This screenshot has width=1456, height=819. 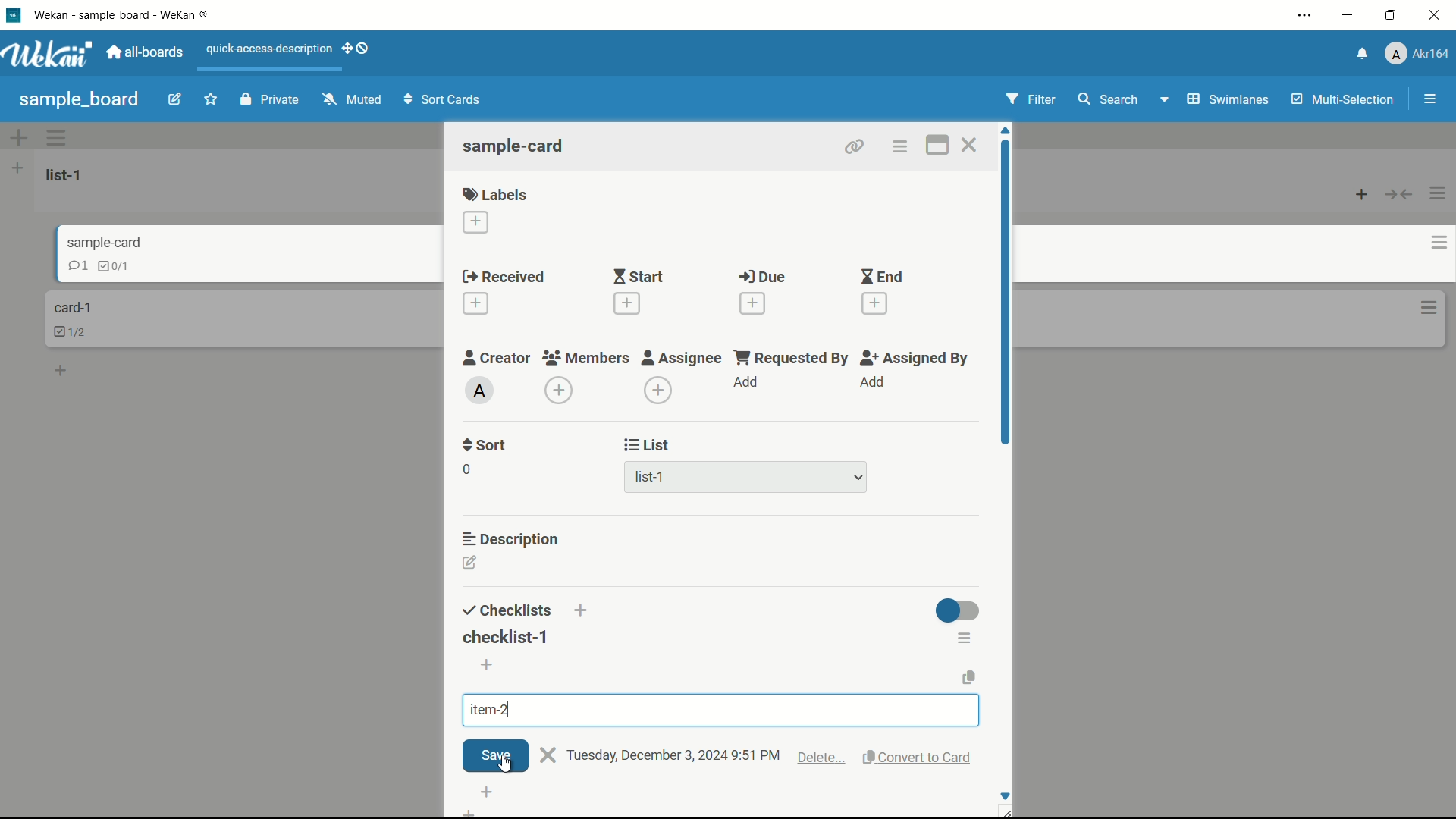 What do you see at coordinates (1226, 101) in the screenshot?
I see `swimlanes` at bounding box center [1226, 101].